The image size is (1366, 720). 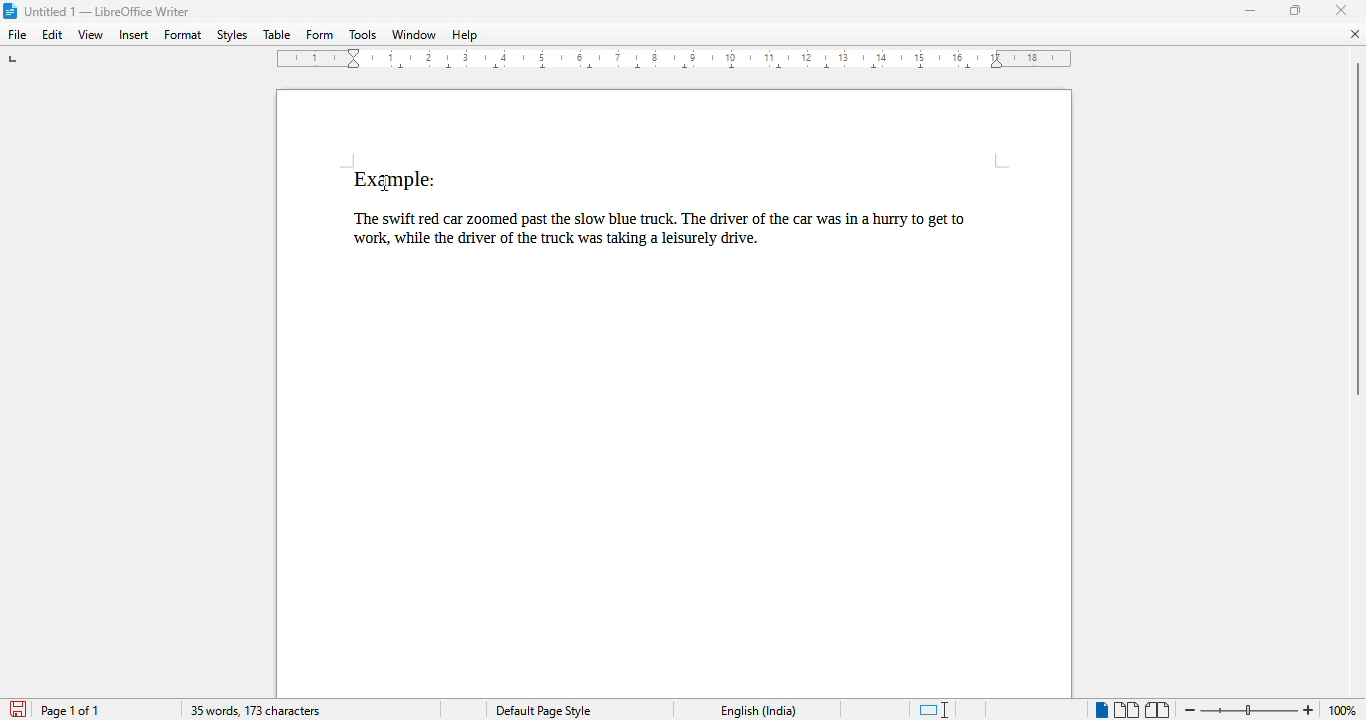 What do you see at coordinates (1356, 34) in the screenshot?
I see `close document` at bounding box center [1356, 34].